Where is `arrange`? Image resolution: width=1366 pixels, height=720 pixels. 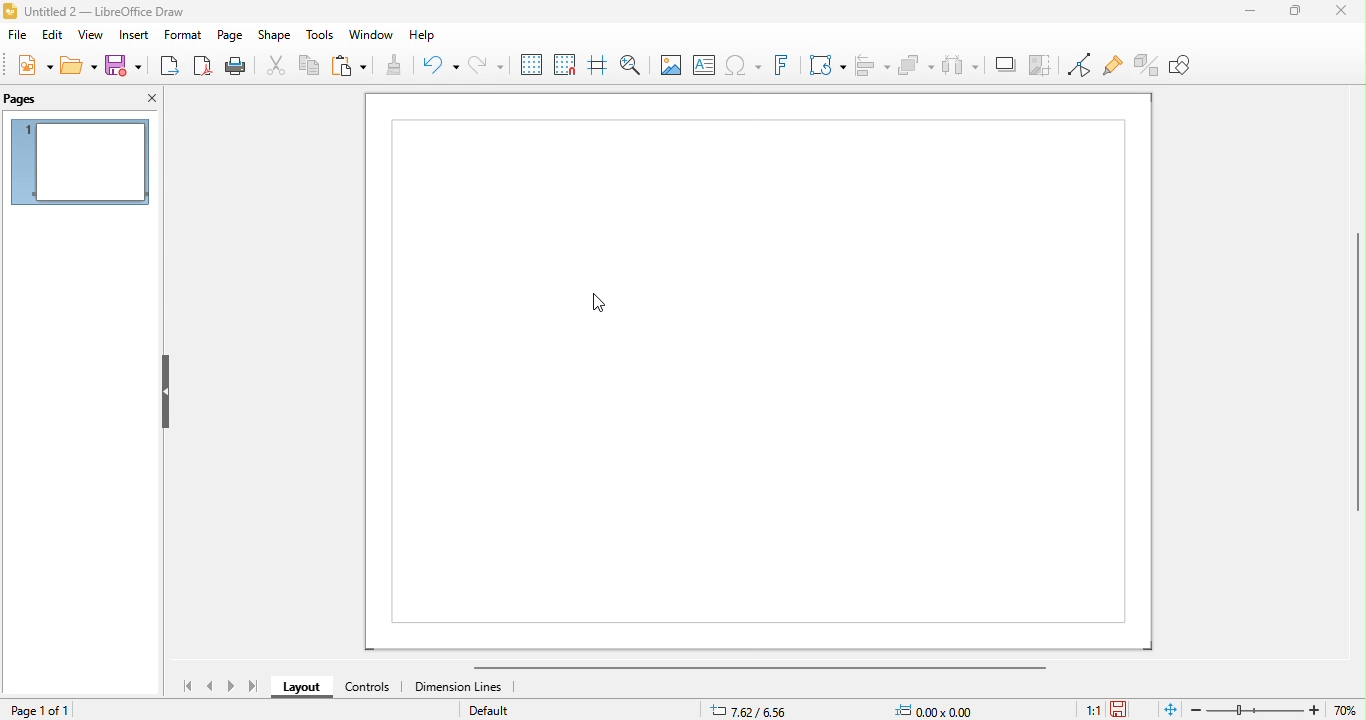
arrange is located at coordinates (916, 66).